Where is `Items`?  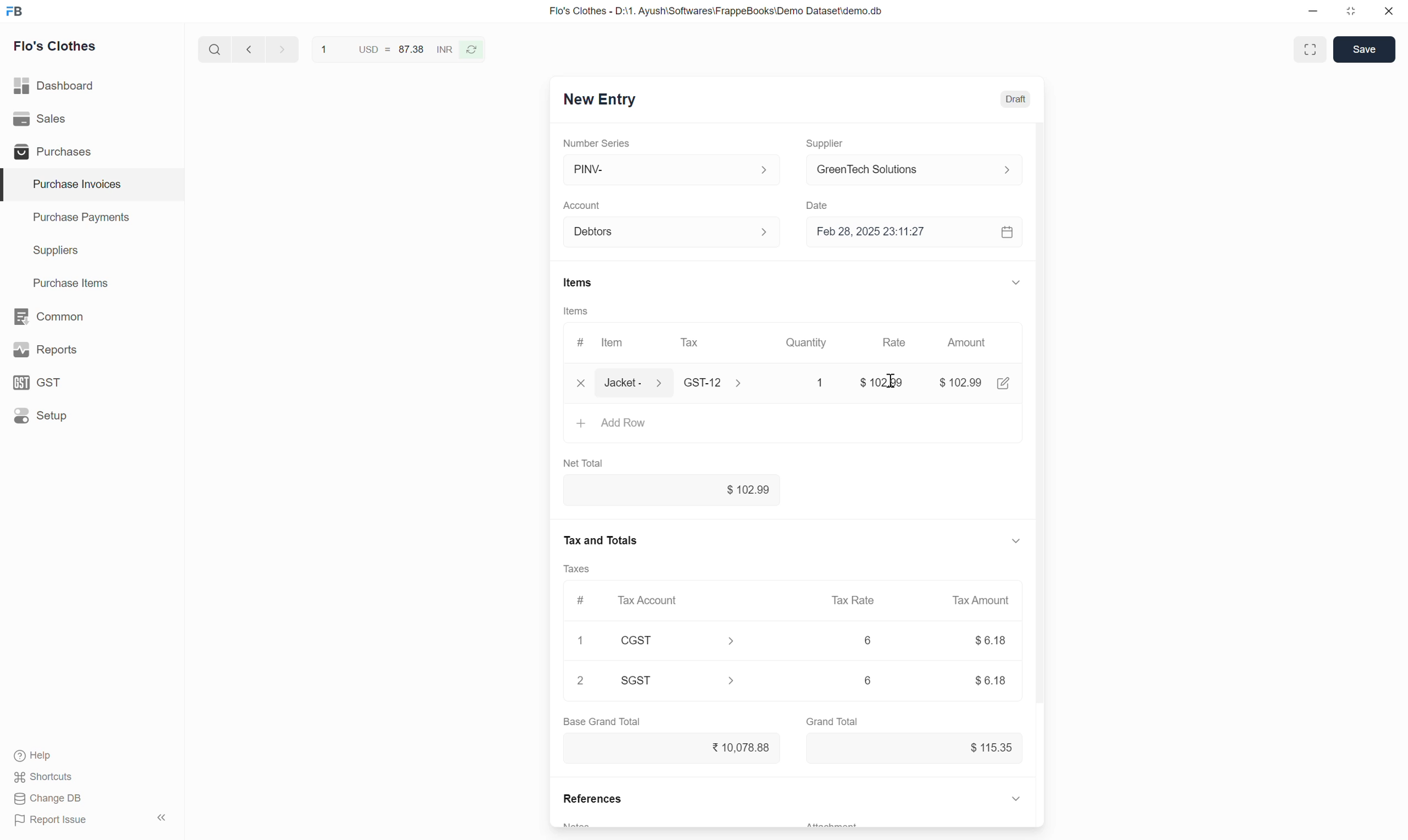
Items is located at coordinates (576, 311).